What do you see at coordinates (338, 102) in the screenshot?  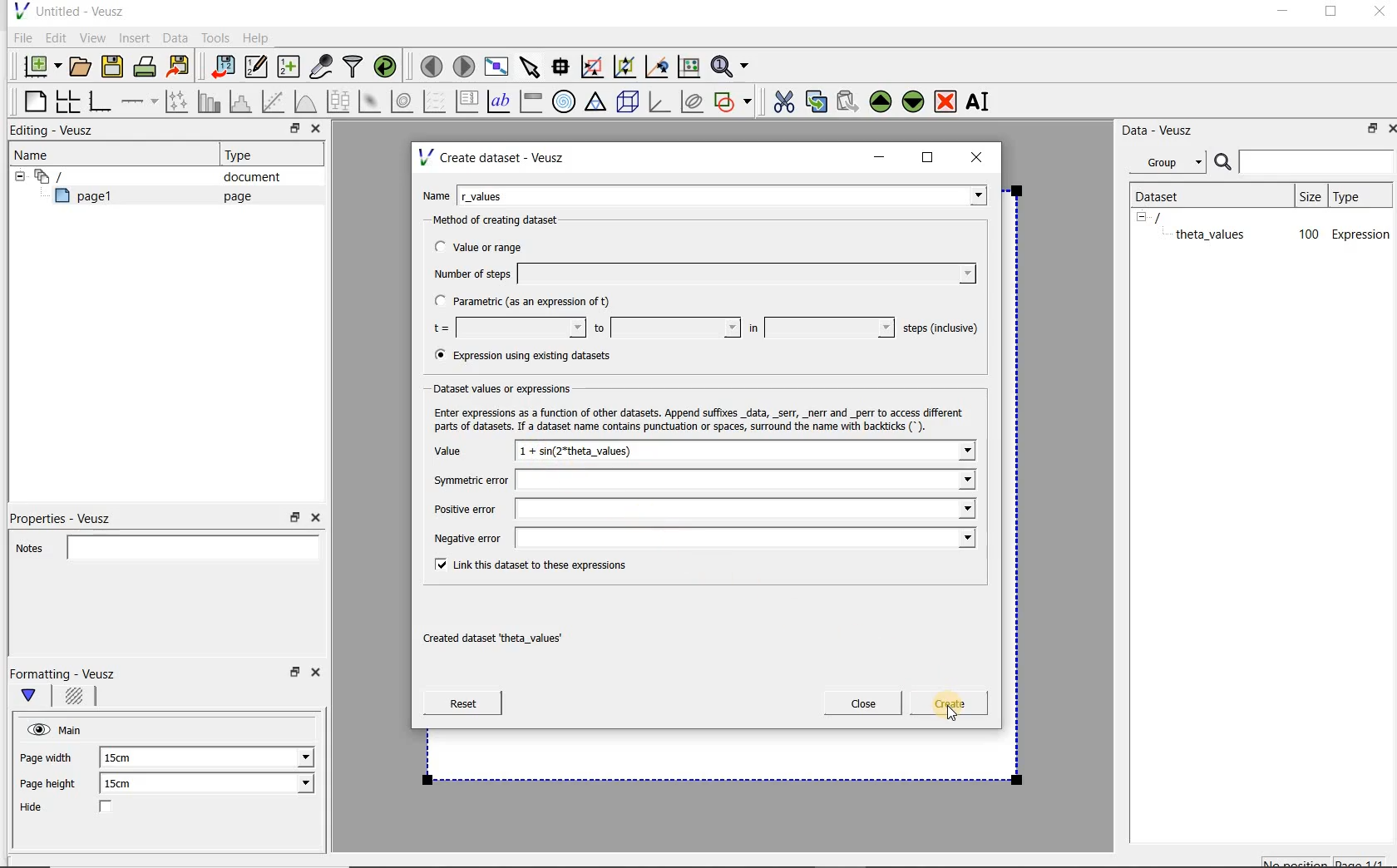 I see `plot box plots` at bounding box center [338, 102].